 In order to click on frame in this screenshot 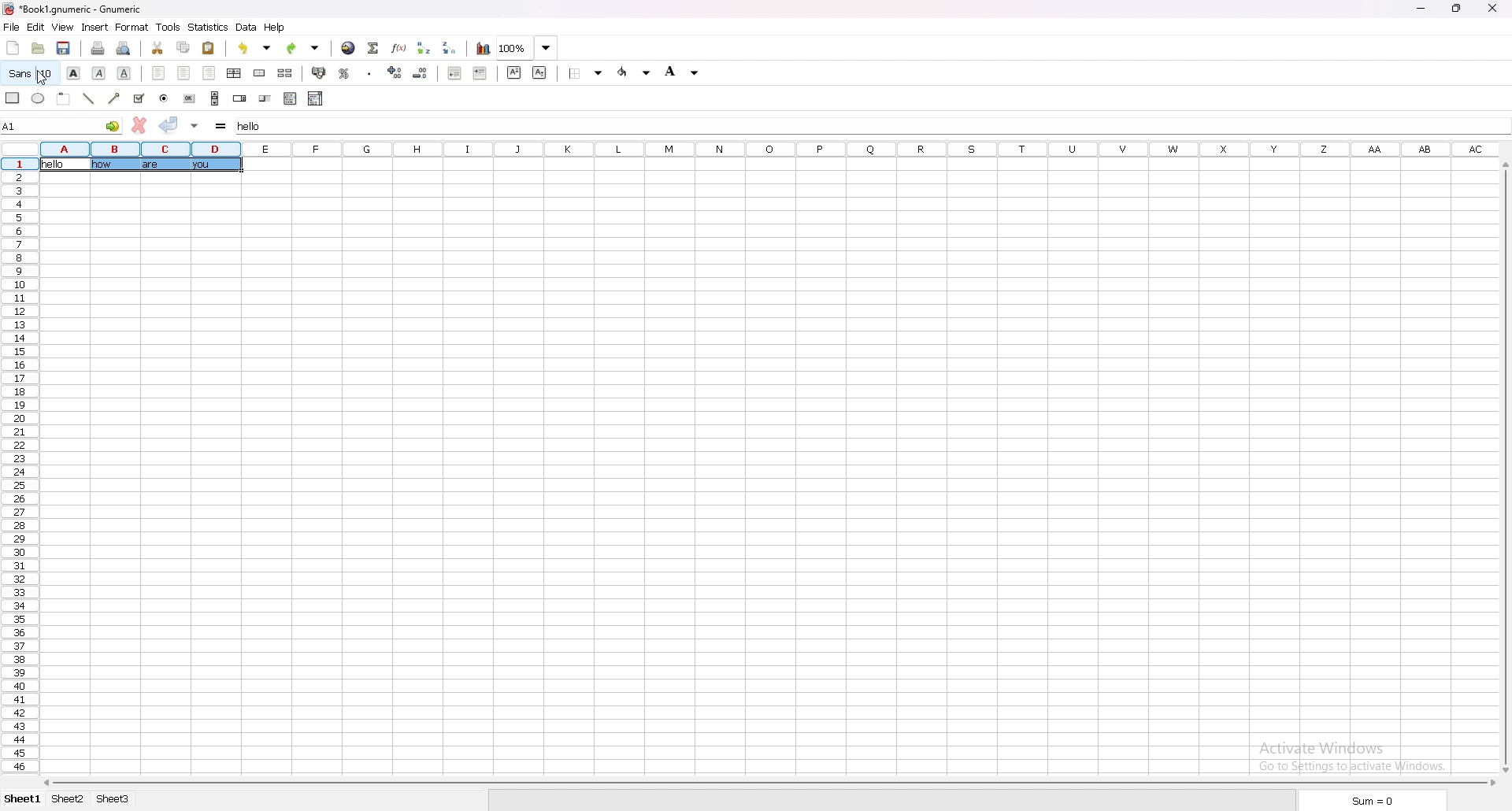, I will do `click(63, 98)`.